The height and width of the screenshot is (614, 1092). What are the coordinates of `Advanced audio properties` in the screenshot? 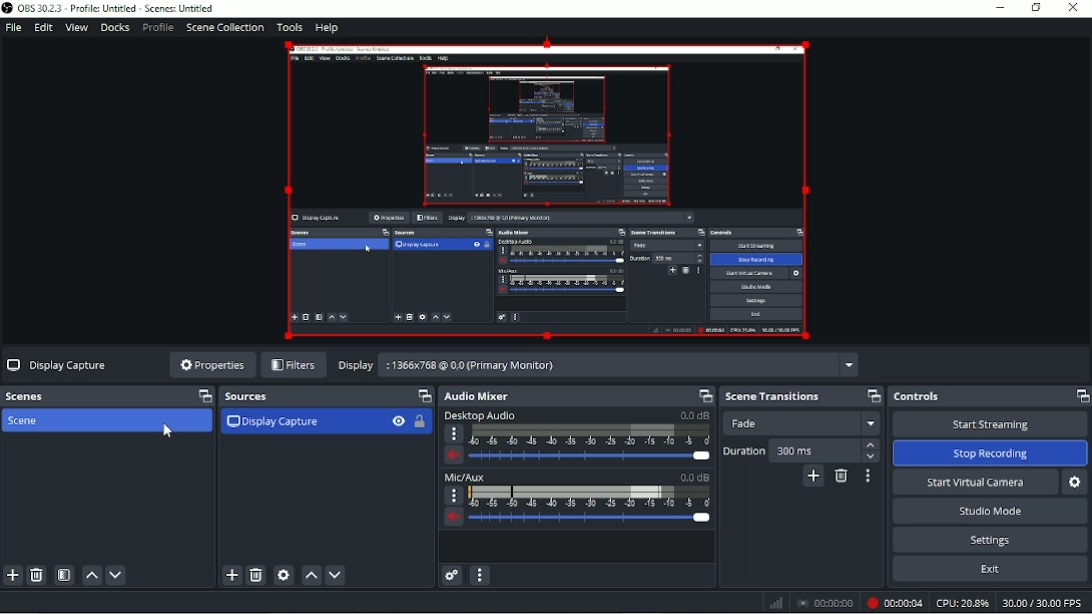 It's located at (452, 576).